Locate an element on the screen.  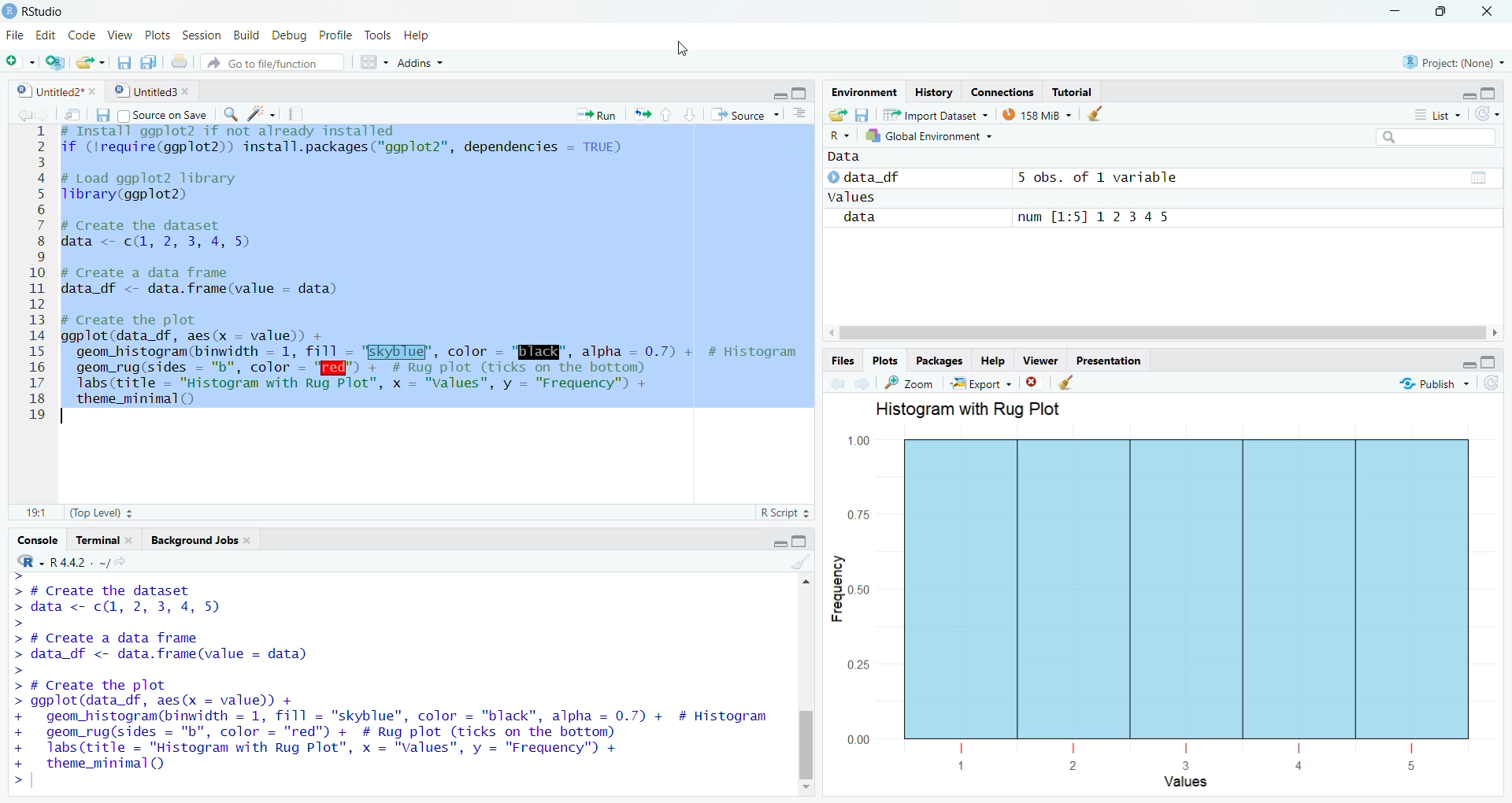
maximize/minimise is located at coordinates (795, 543).